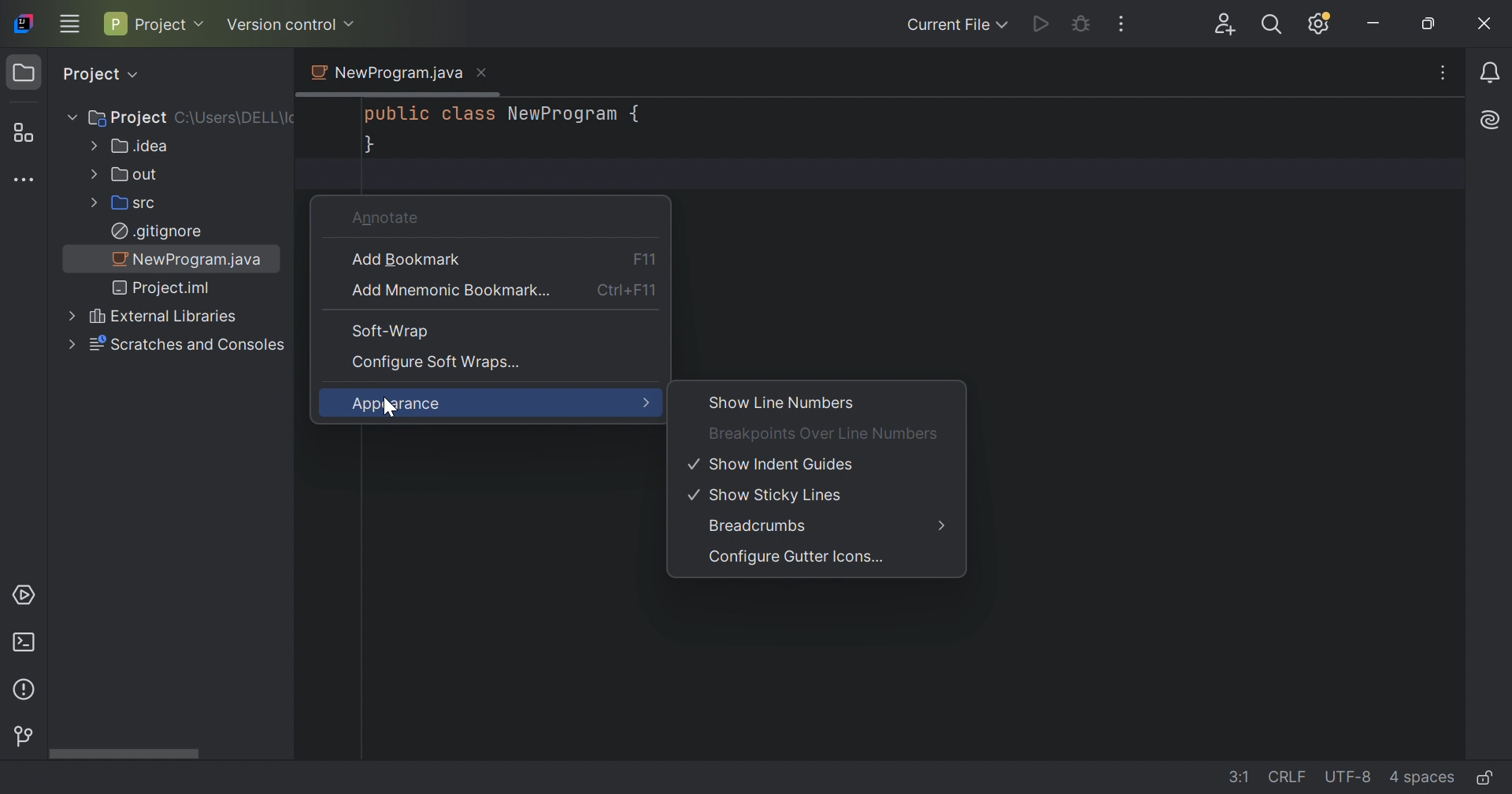  What do you see at coordinates (350, 24) in the screenshot?
I see `Drop Down` at bounding box center [350, 24].